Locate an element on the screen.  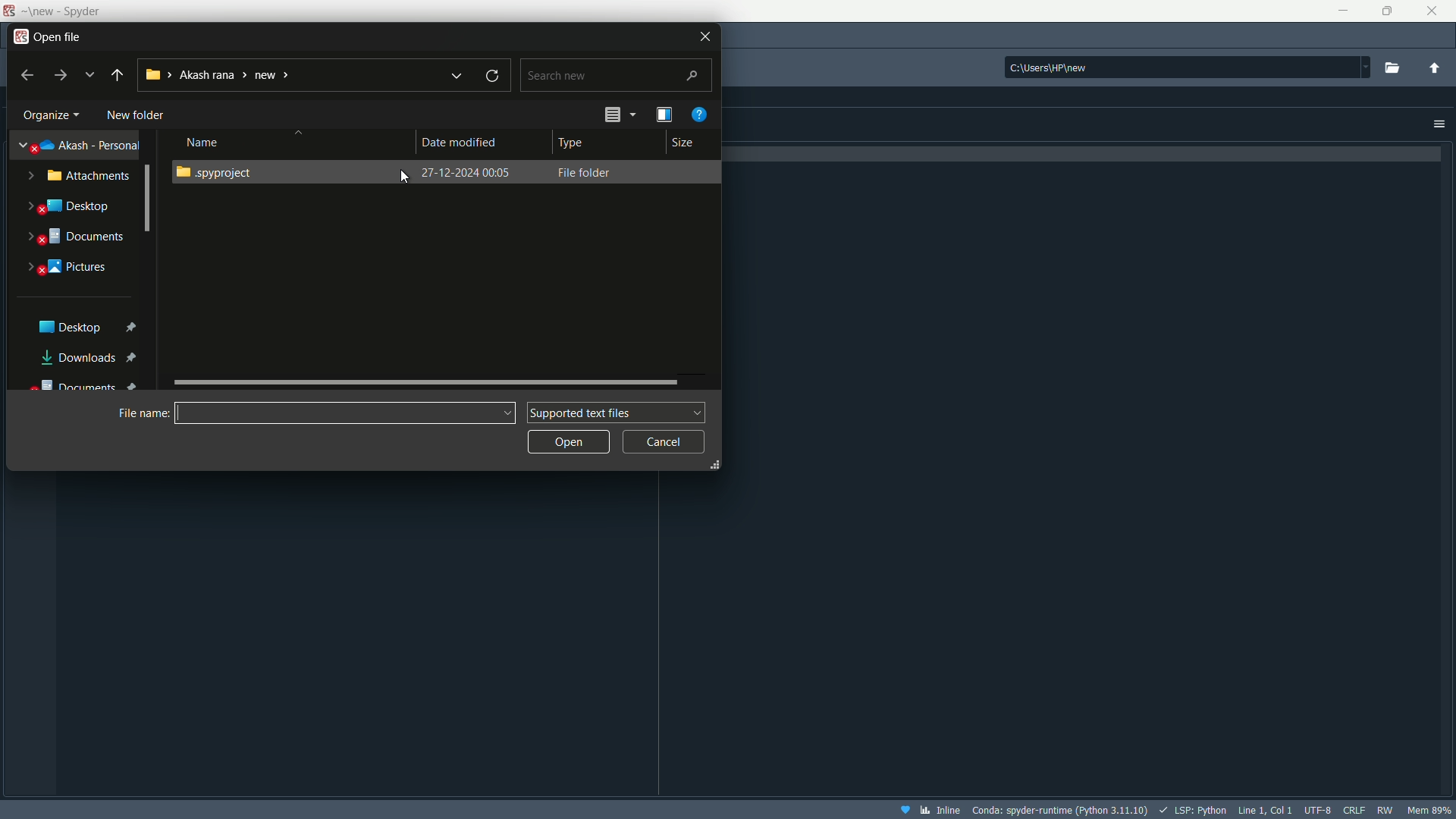
interpreter is located at coordinates (1060, 810).